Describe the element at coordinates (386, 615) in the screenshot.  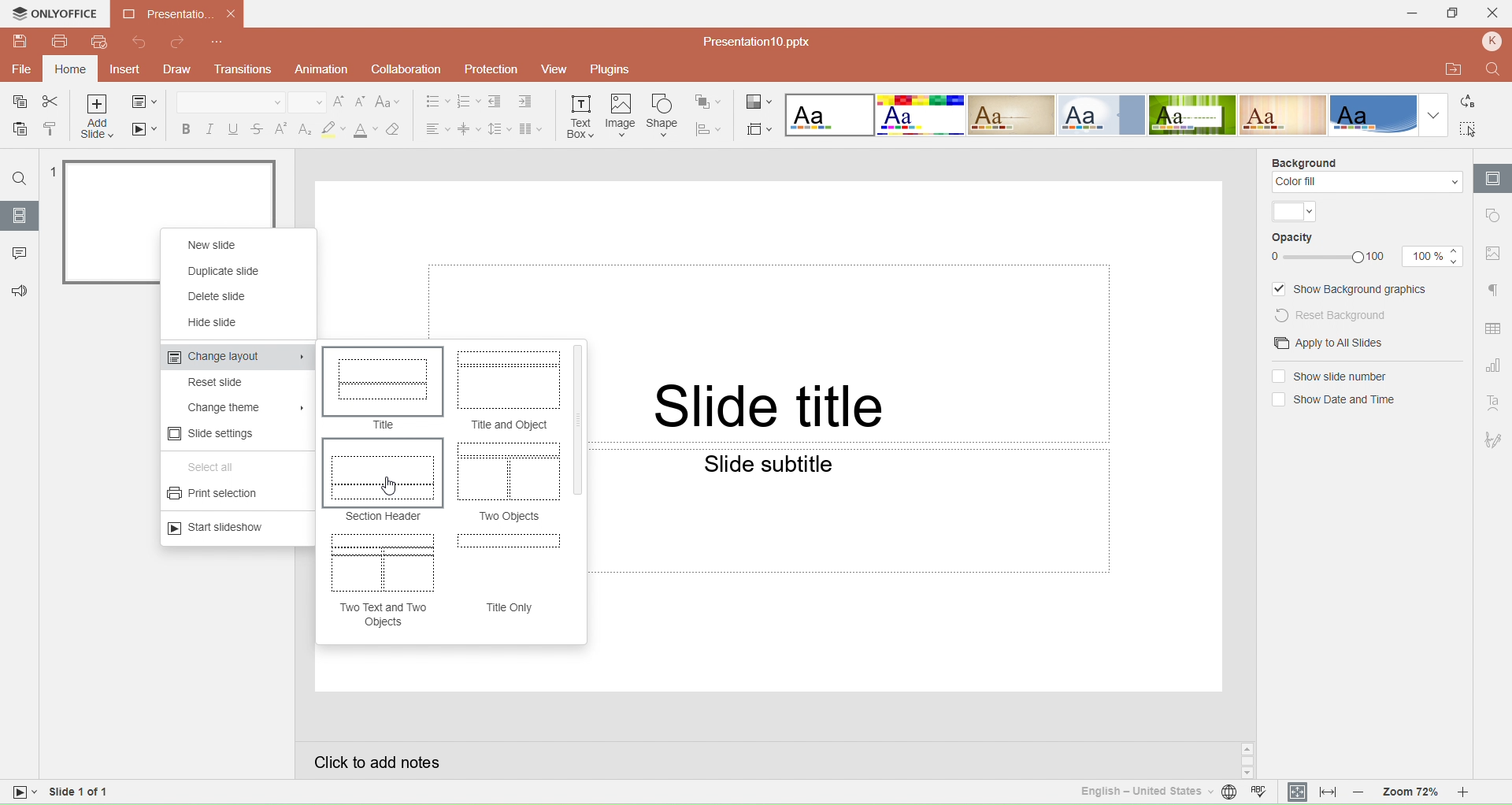
I see `Two text and two objects` at that location.